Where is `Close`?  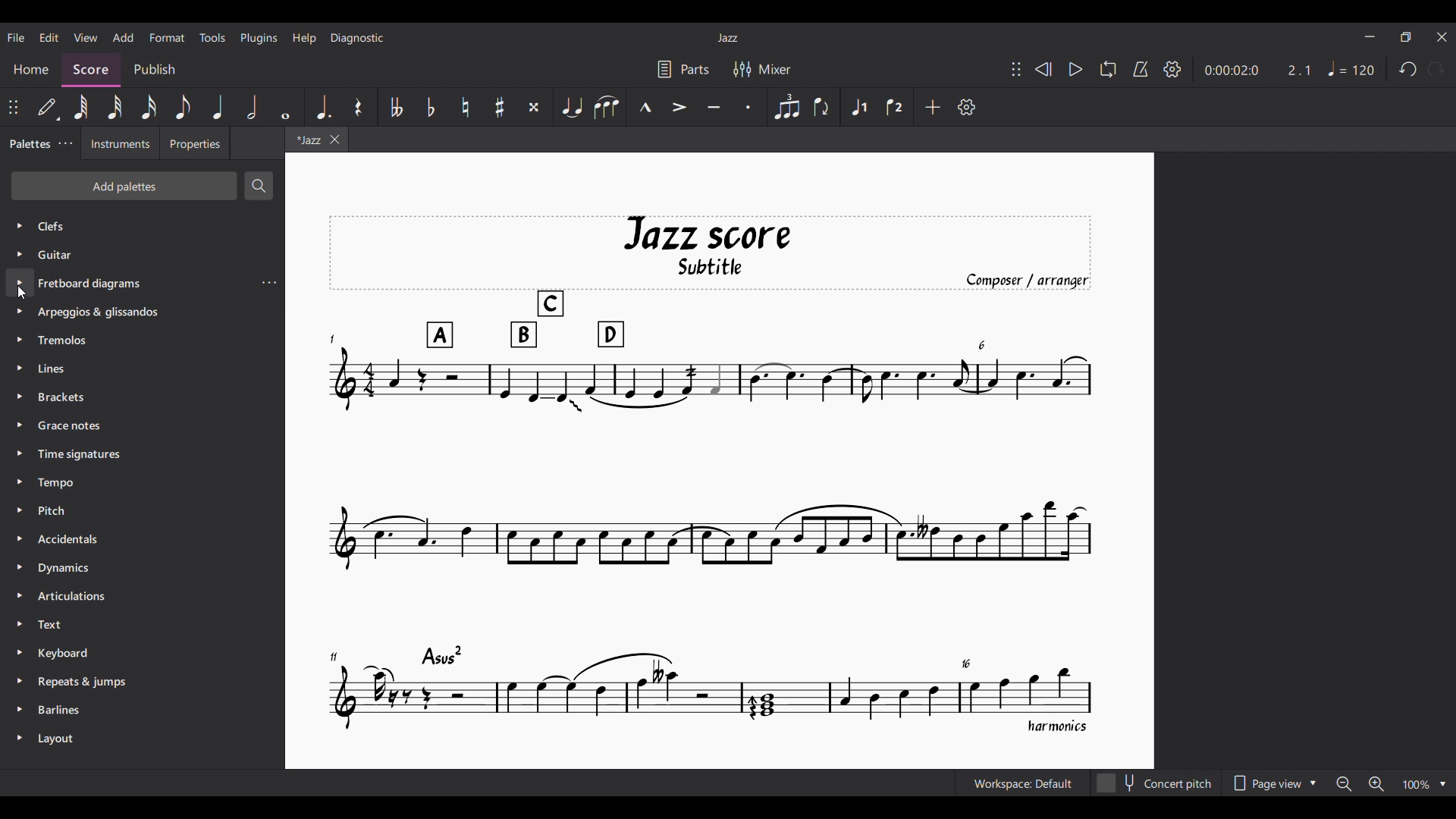 Close is located at coordinates (1443, 37).